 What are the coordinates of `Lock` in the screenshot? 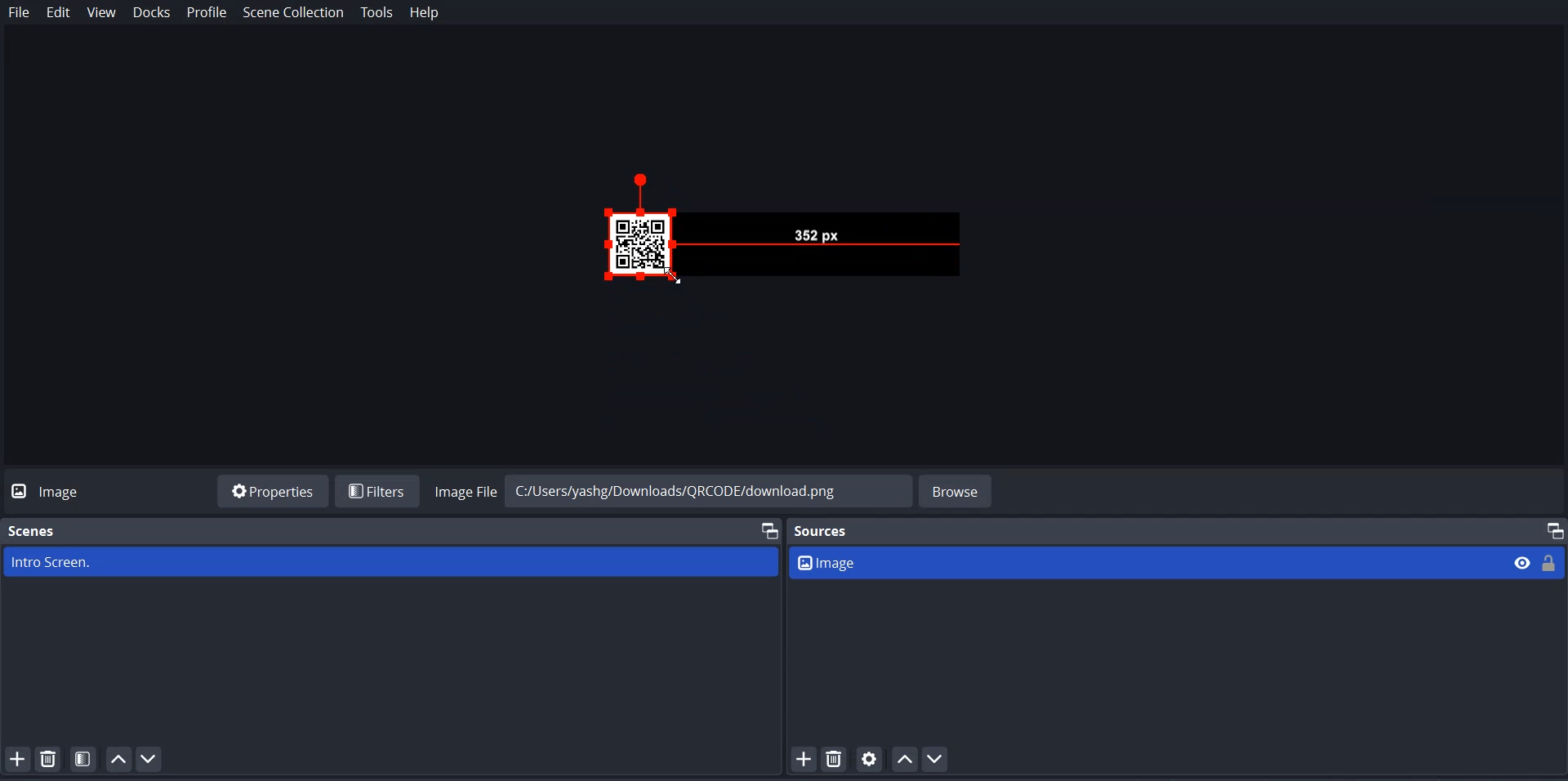 It's located at (1551, 561).